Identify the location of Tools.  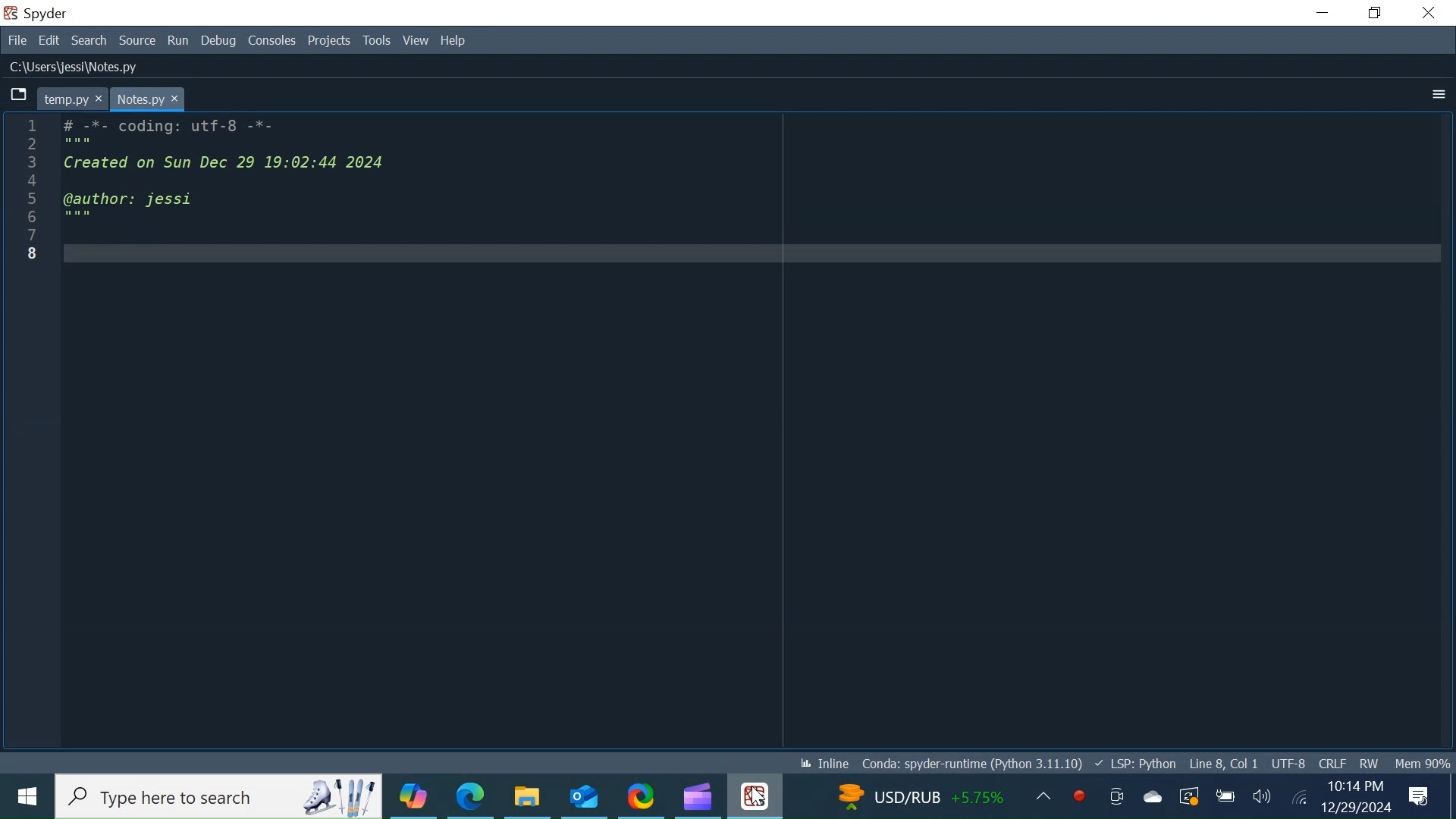
(376, 39).